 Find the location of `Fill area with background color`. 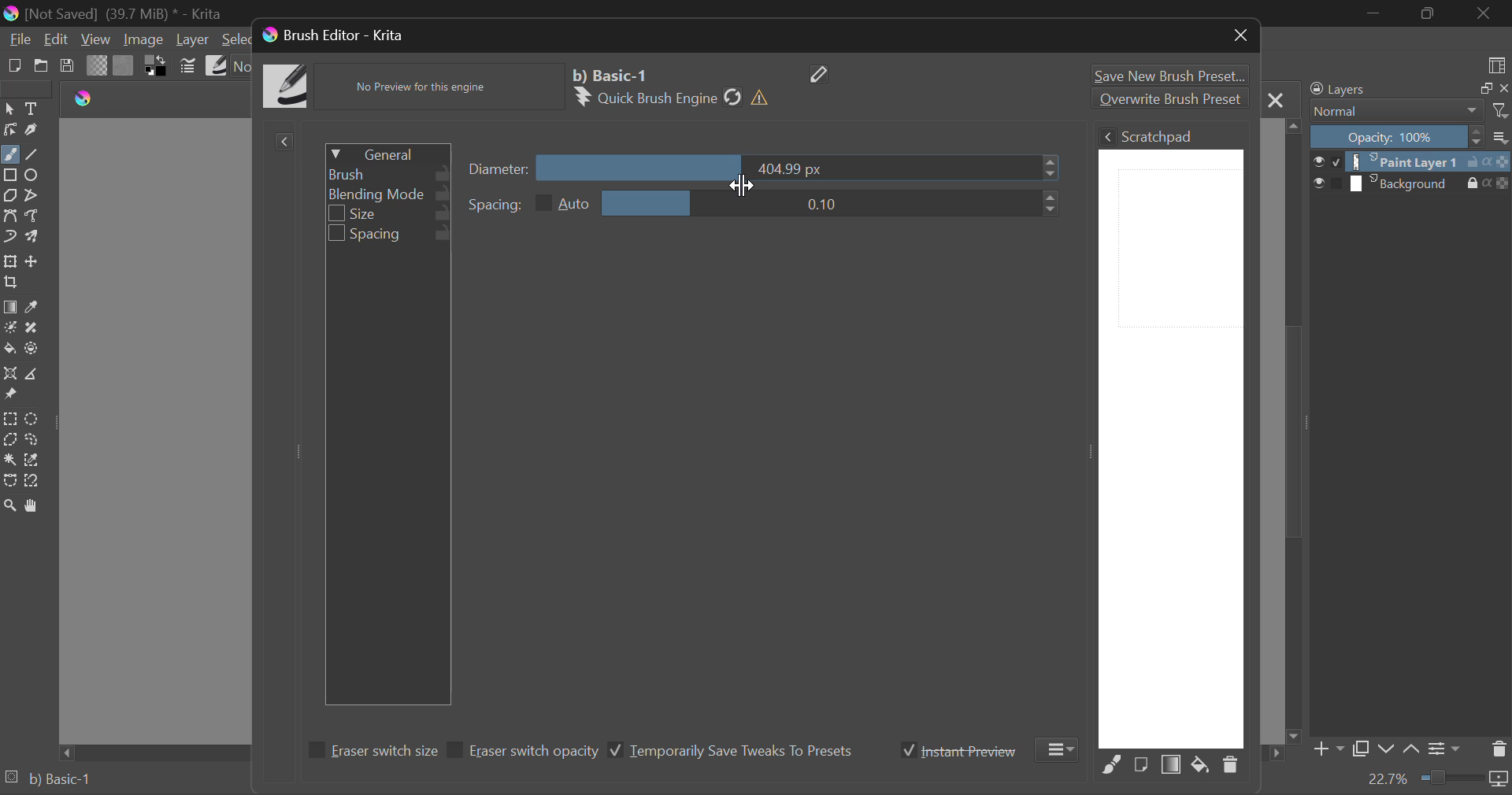

Fill area with background color is located at coordinates (1199, 766).